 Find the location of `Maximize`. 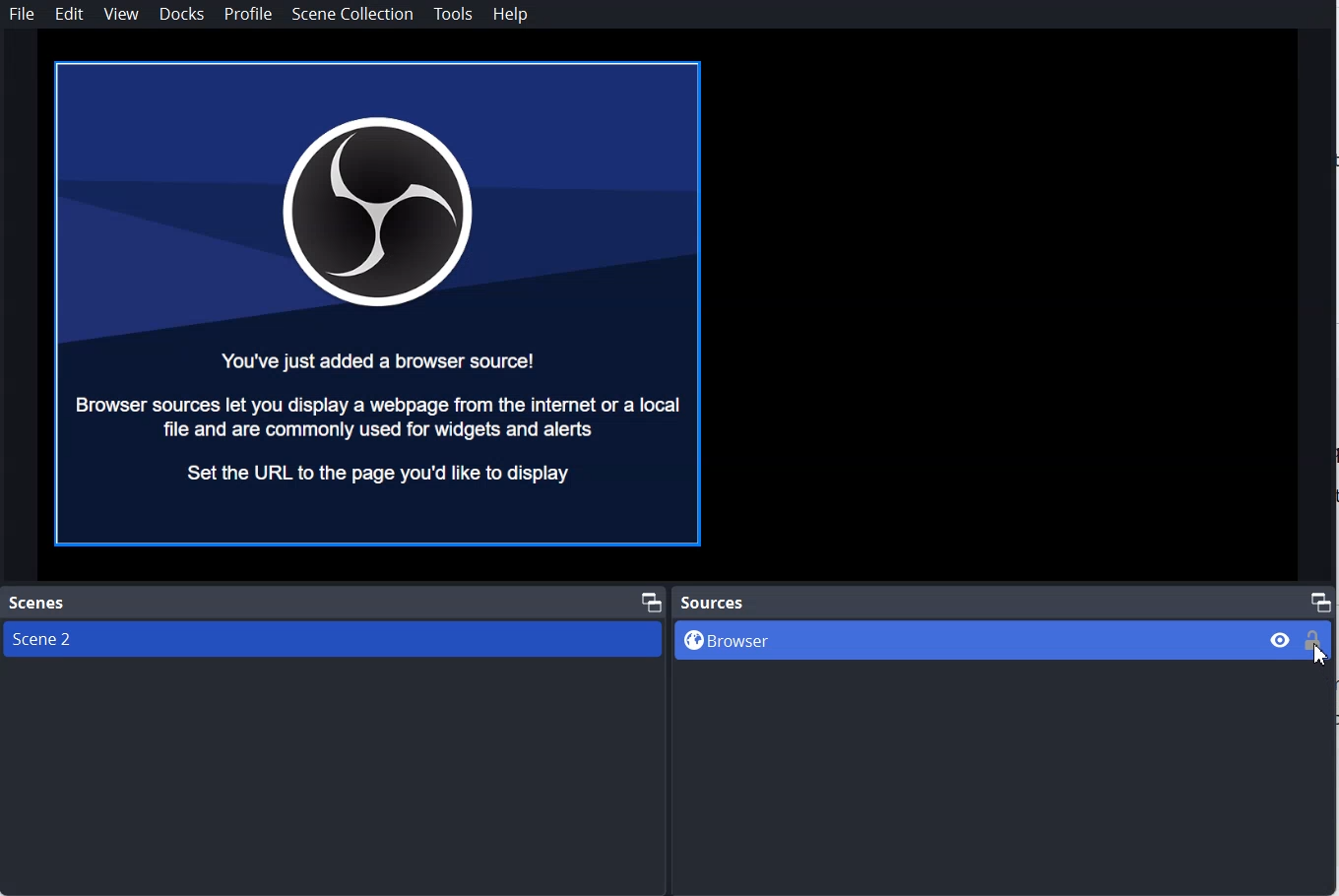

Maximize is located at coordinates (1321, 600).